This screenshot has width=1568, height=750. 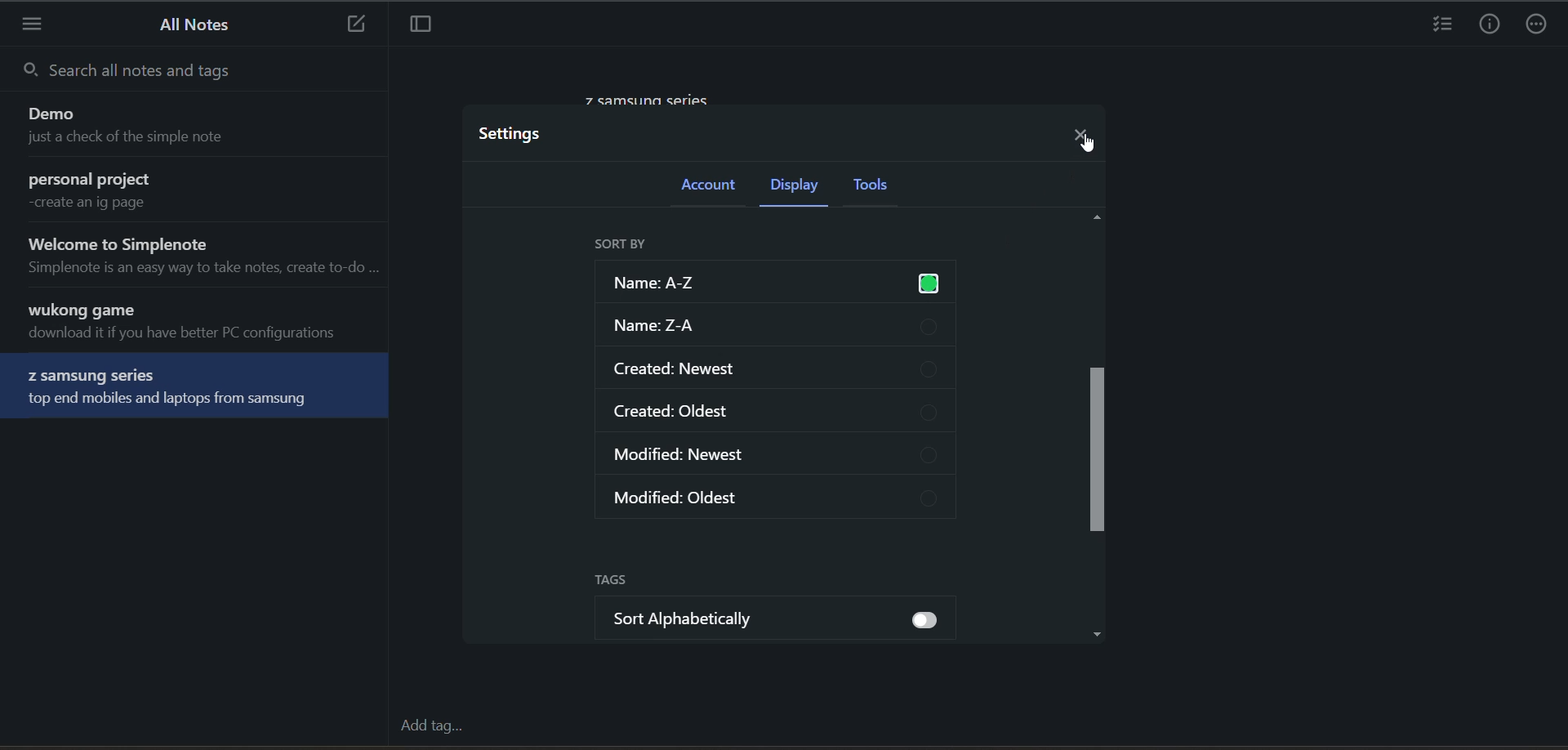 What do you see at coordinates (189, 25) in the screenshot?
I see `all notes` at bounding box center [189, 25].